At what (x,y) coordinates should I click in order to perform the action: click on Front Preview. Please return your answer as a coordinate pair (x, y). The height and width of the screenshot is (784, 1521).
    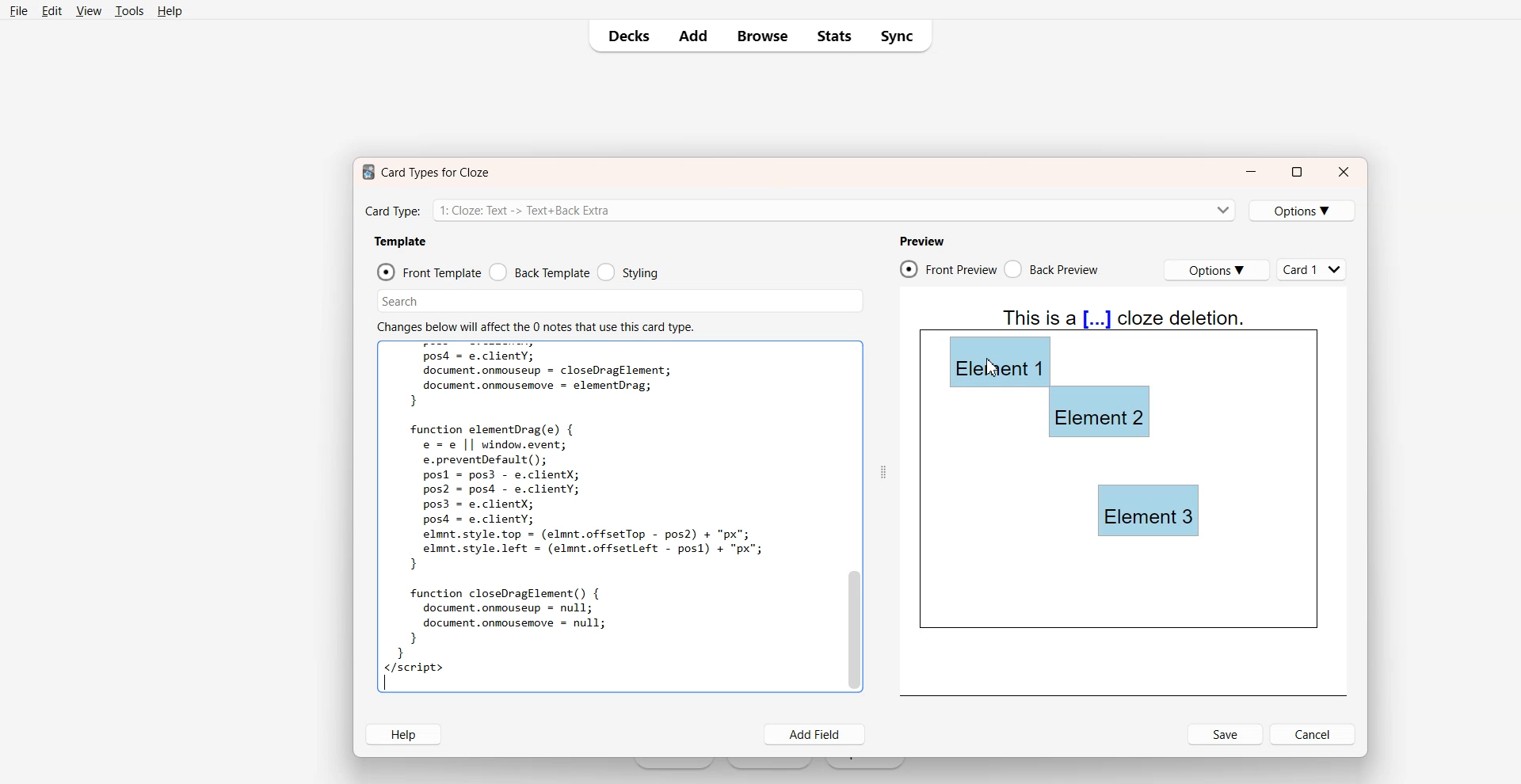
    Looking at the image, I should click on (948, 268).